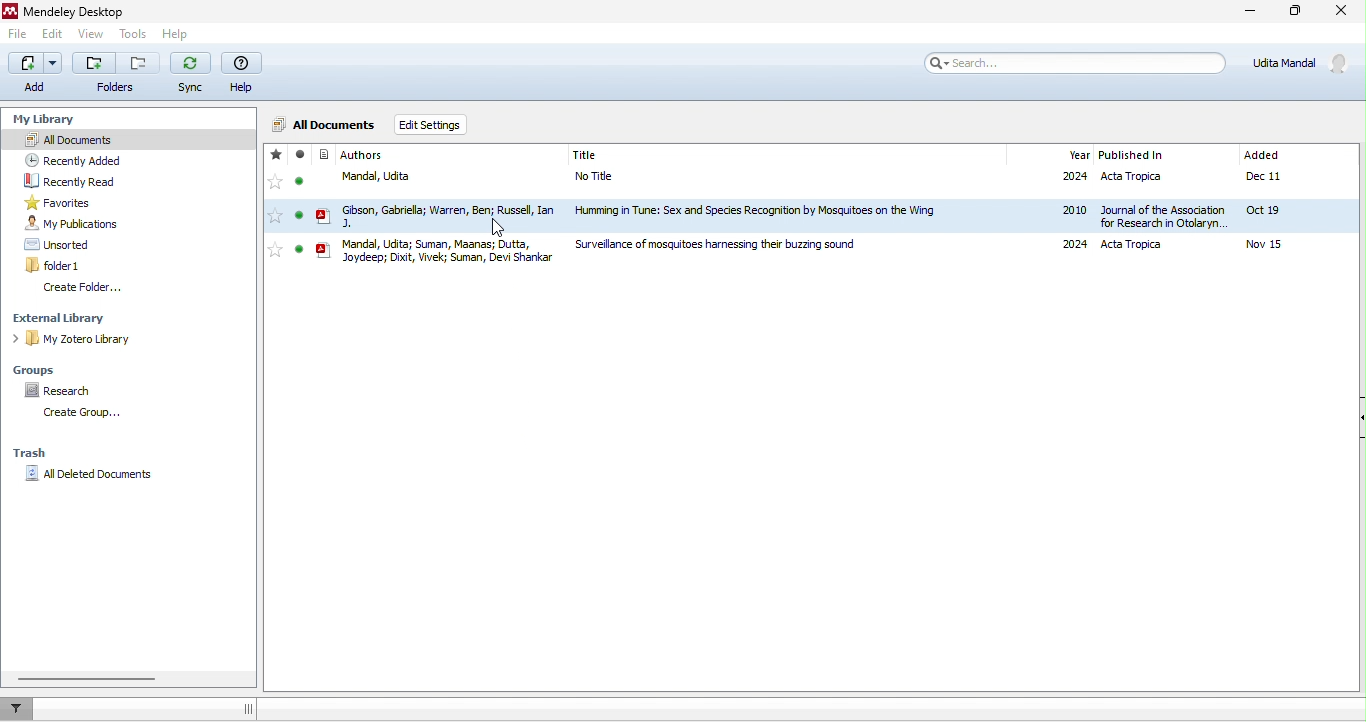 Image resolution: width=1366 pixels, height=722 pixels. Describe the element at coordinates (275, 203) in the screenshot. I see `stared` at that location.